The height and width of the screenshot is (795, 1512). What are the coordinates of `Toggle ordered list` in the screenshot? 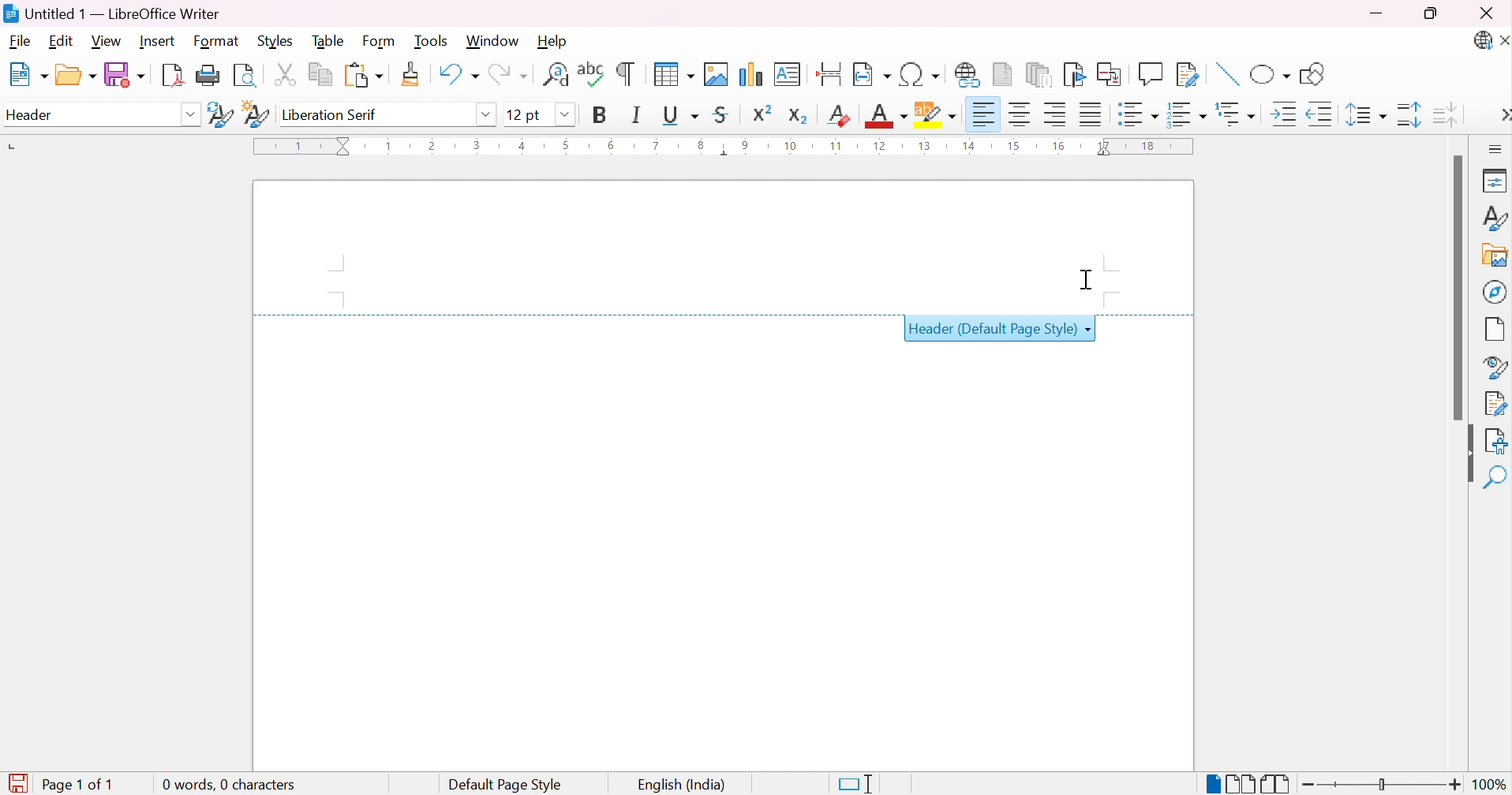 It's located at (1190, 117).